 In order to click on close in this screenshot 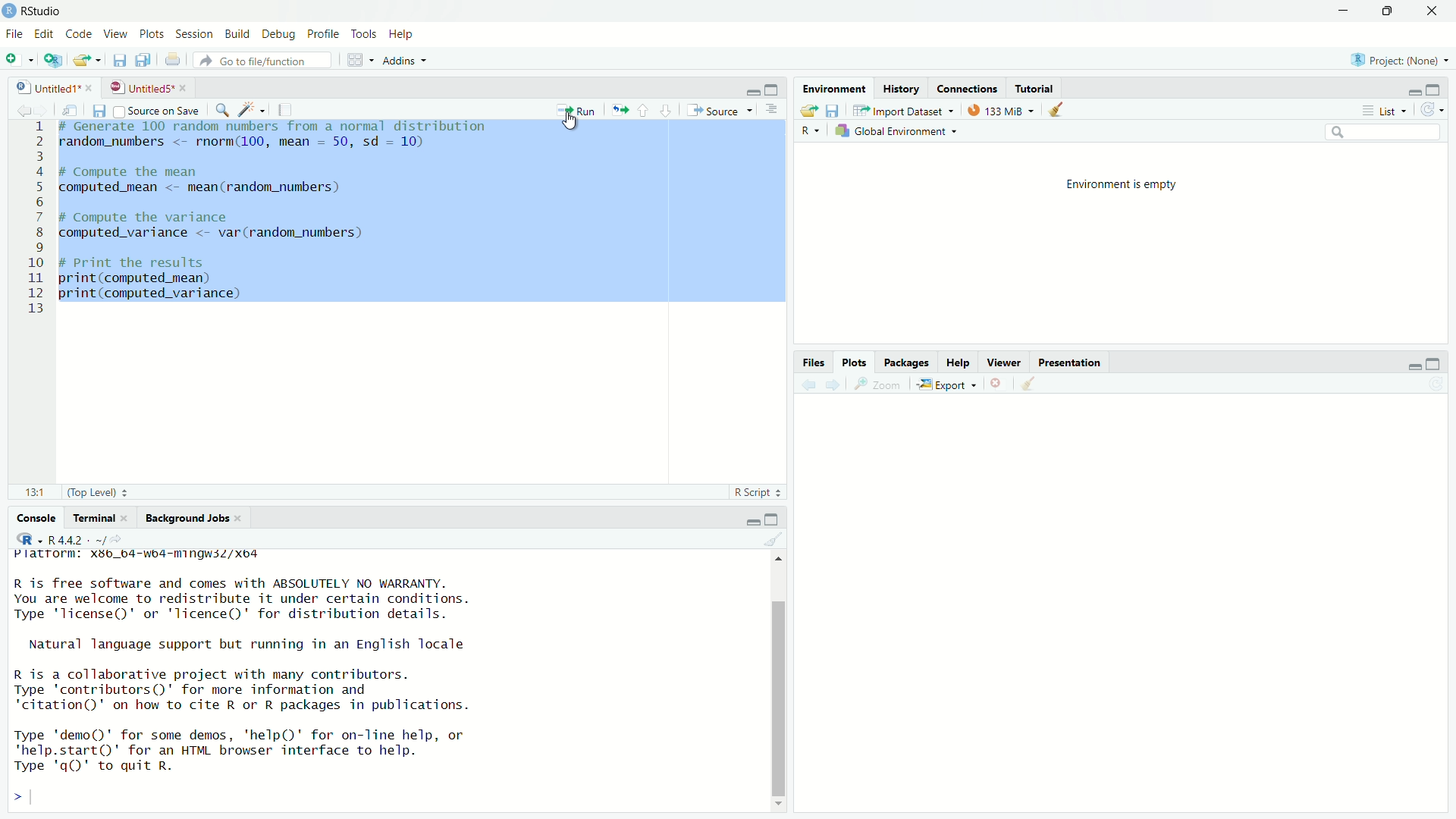, I will do `click(93, 86)`.